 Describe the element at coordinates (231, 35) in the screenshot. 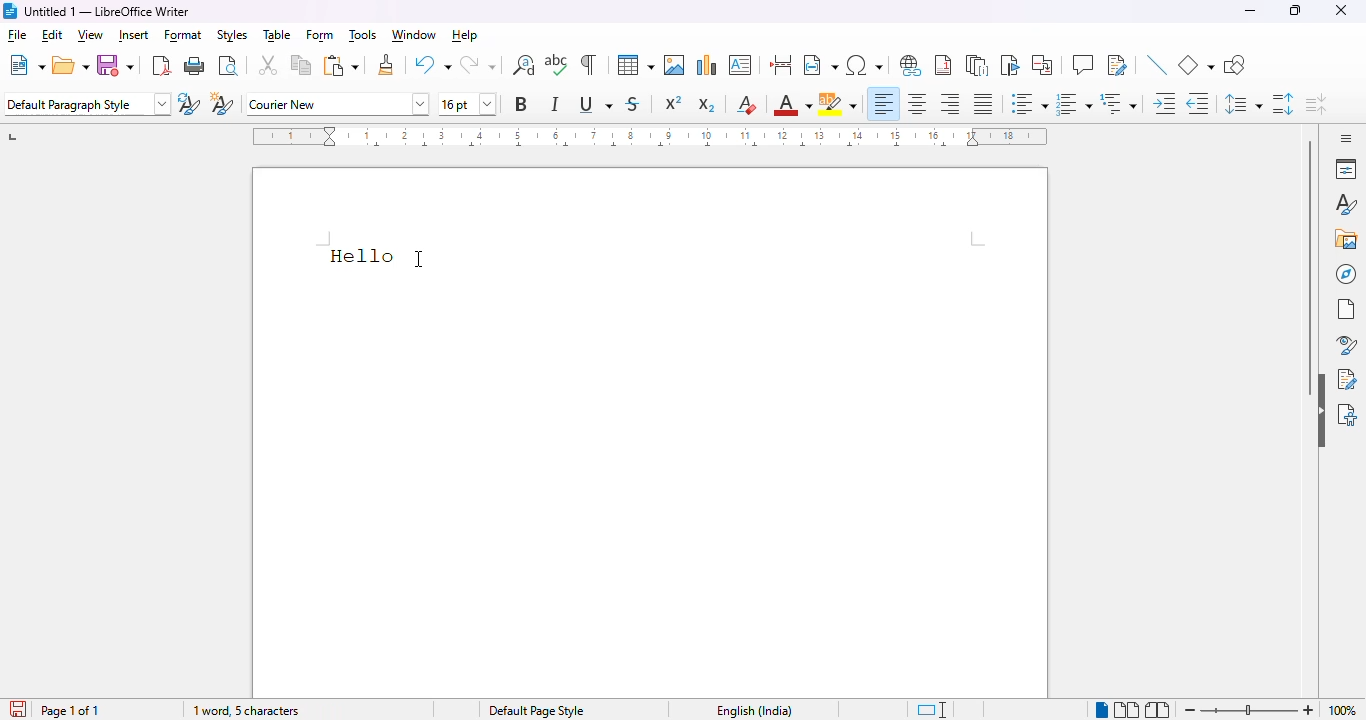

I see `styles` at that location.